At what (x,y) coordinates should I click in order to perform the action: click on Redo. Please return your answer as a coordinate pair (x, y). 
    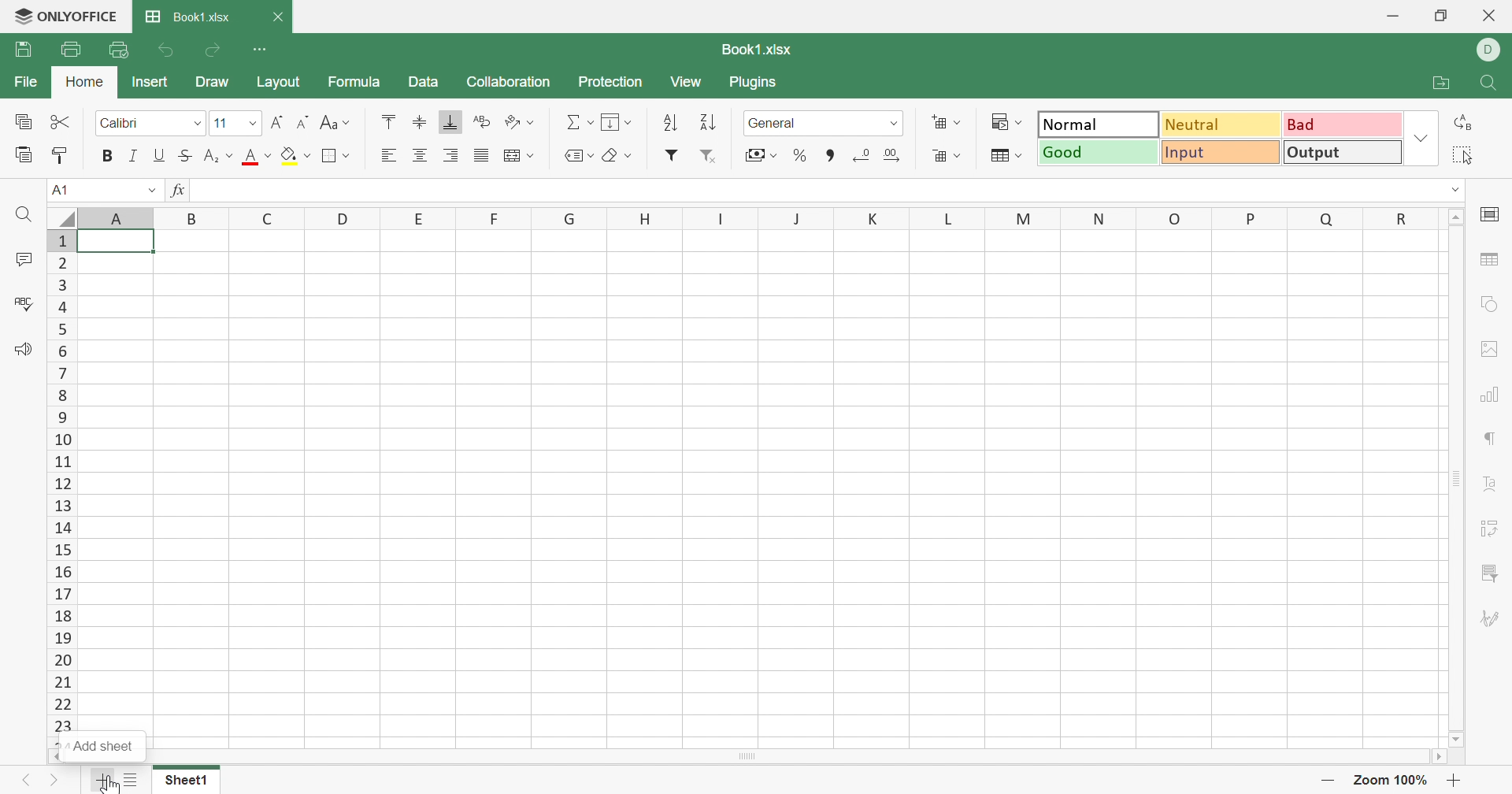
    Looking at the image, I should click on (213, 51).